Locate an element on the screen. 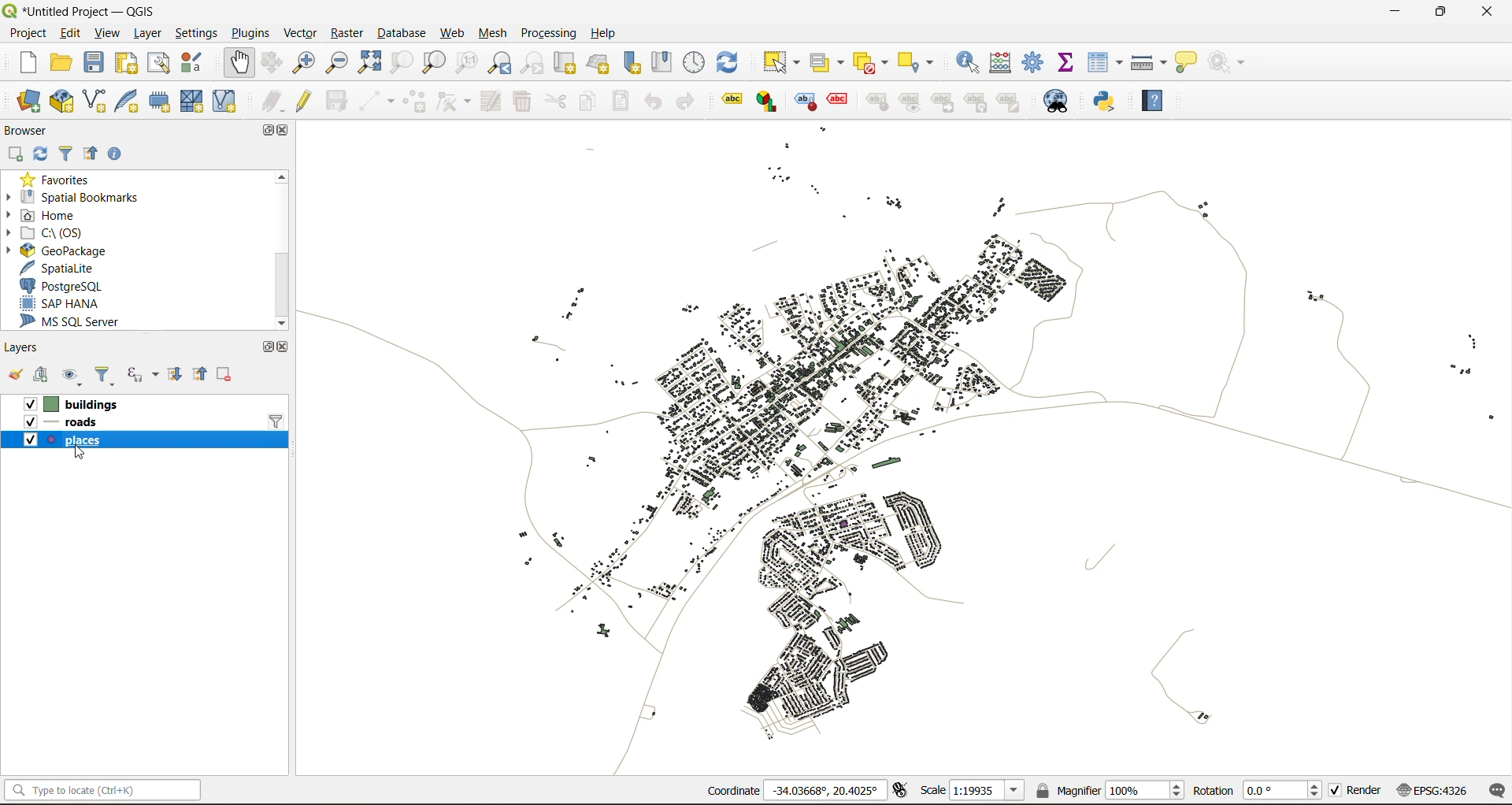 The width and height of the screenshot is (1512, 805). close is located at coordinates (1484, 13).